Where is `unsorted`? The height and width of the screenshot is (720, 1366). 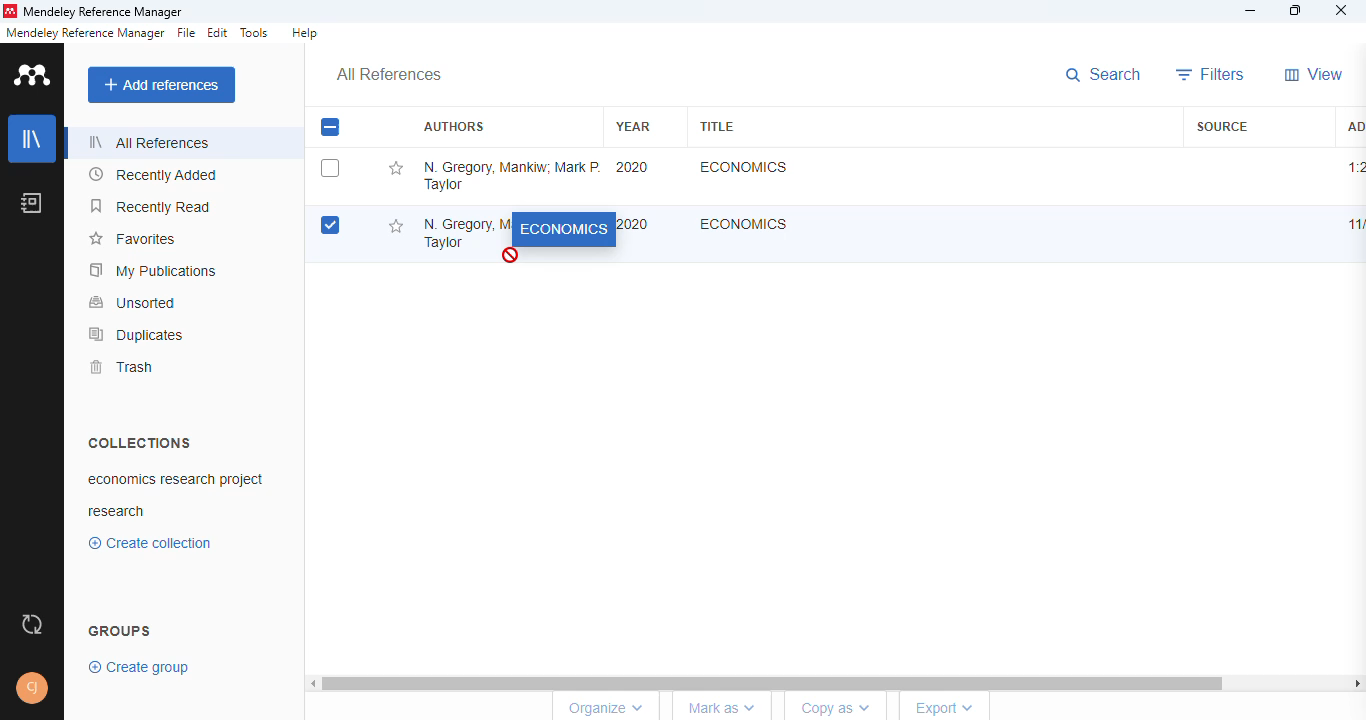 unsorted is located at coordinates (133, 302).